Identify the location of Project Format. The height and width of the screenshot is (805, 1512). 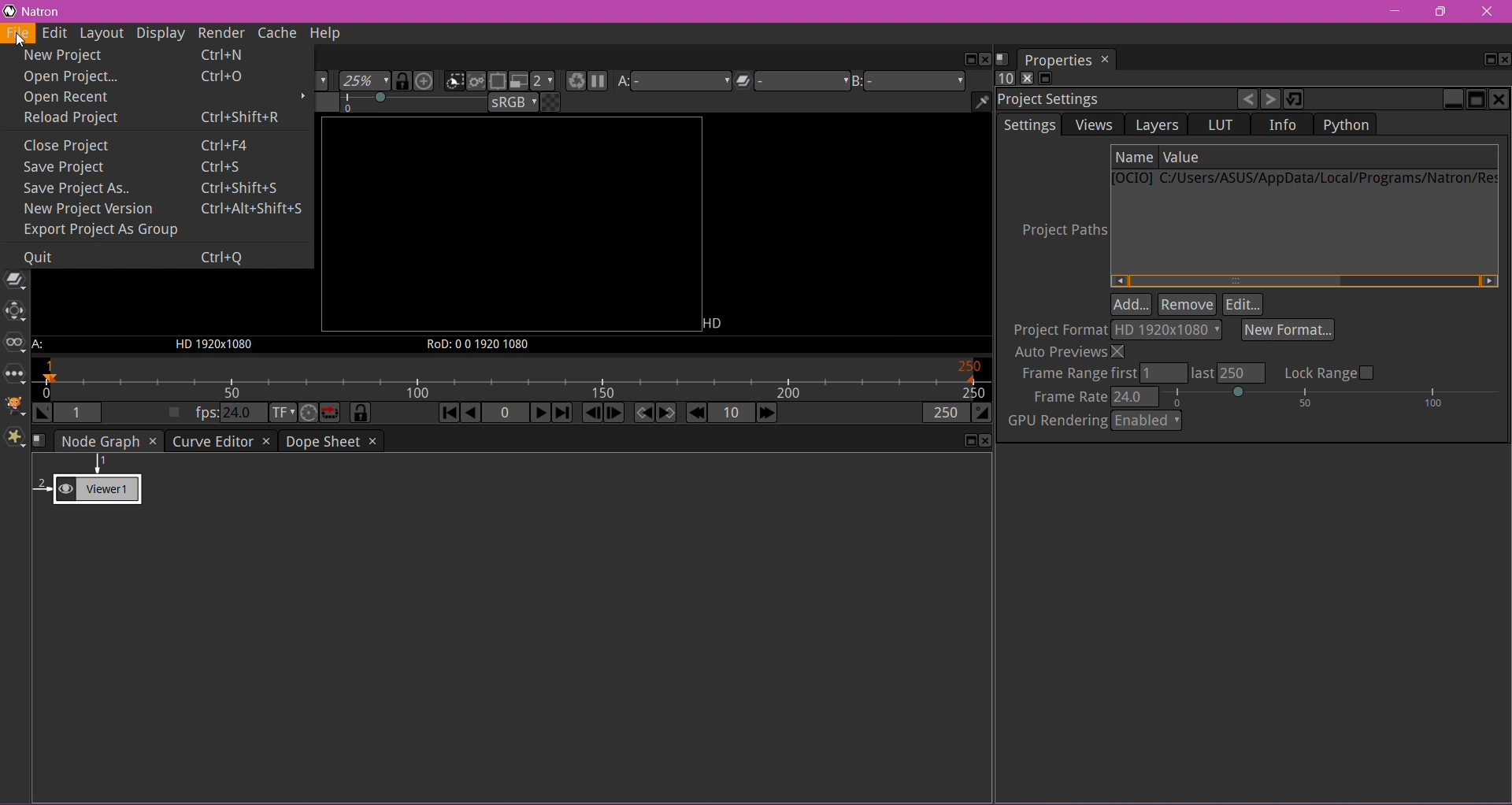
(1061, 331).